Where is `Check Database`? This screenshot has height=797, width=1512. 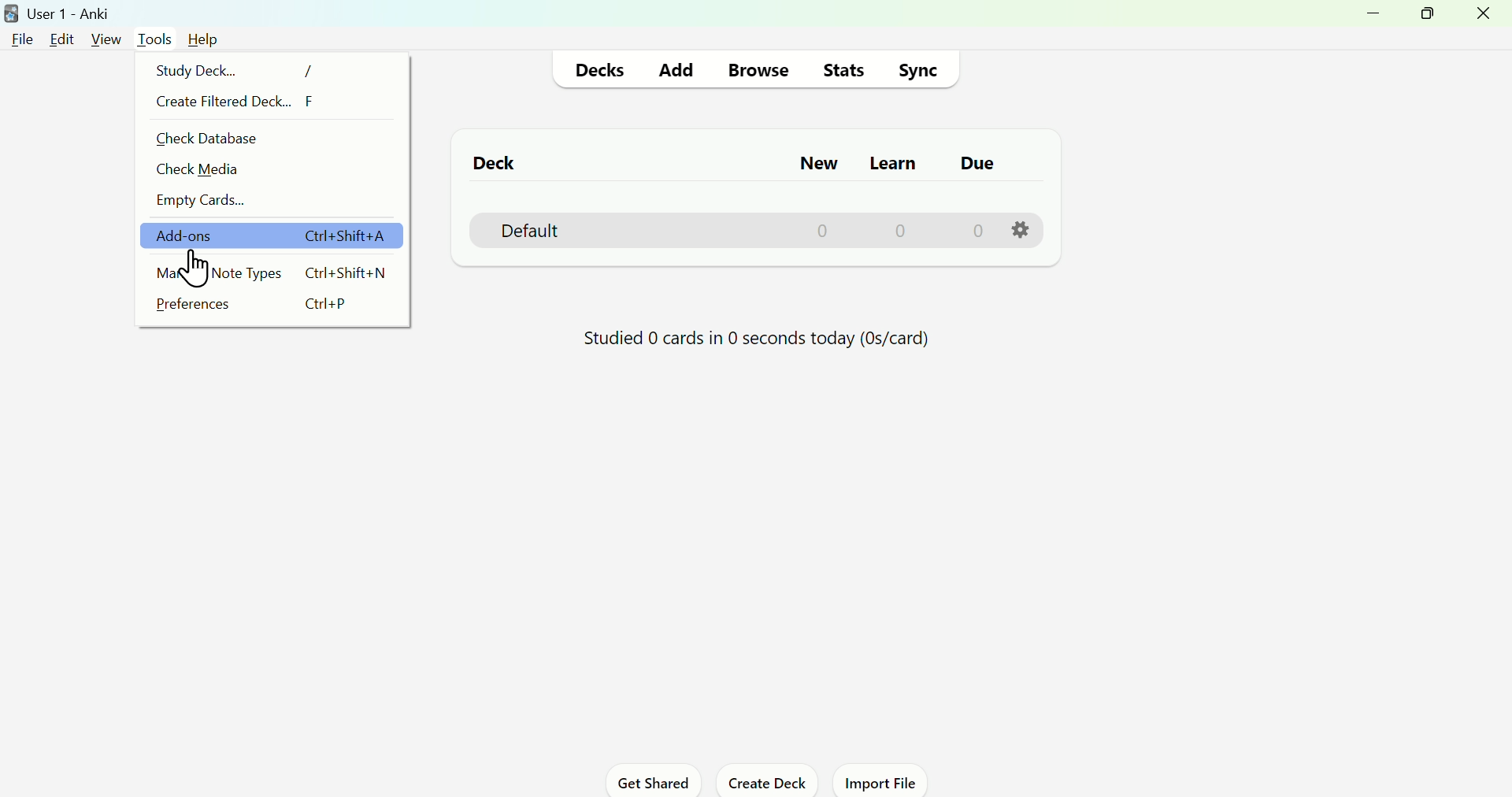 Check Database is located at coordinates (211, 137).